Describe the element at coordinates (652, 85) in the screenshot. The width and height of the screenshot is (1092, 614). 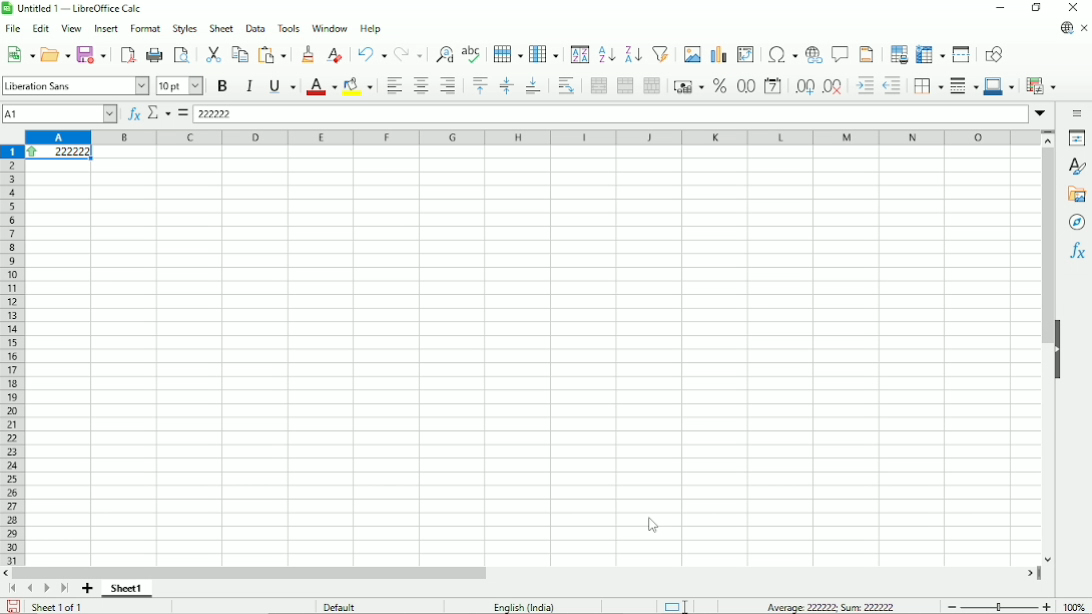
I see `Unmerge cells` at that location.